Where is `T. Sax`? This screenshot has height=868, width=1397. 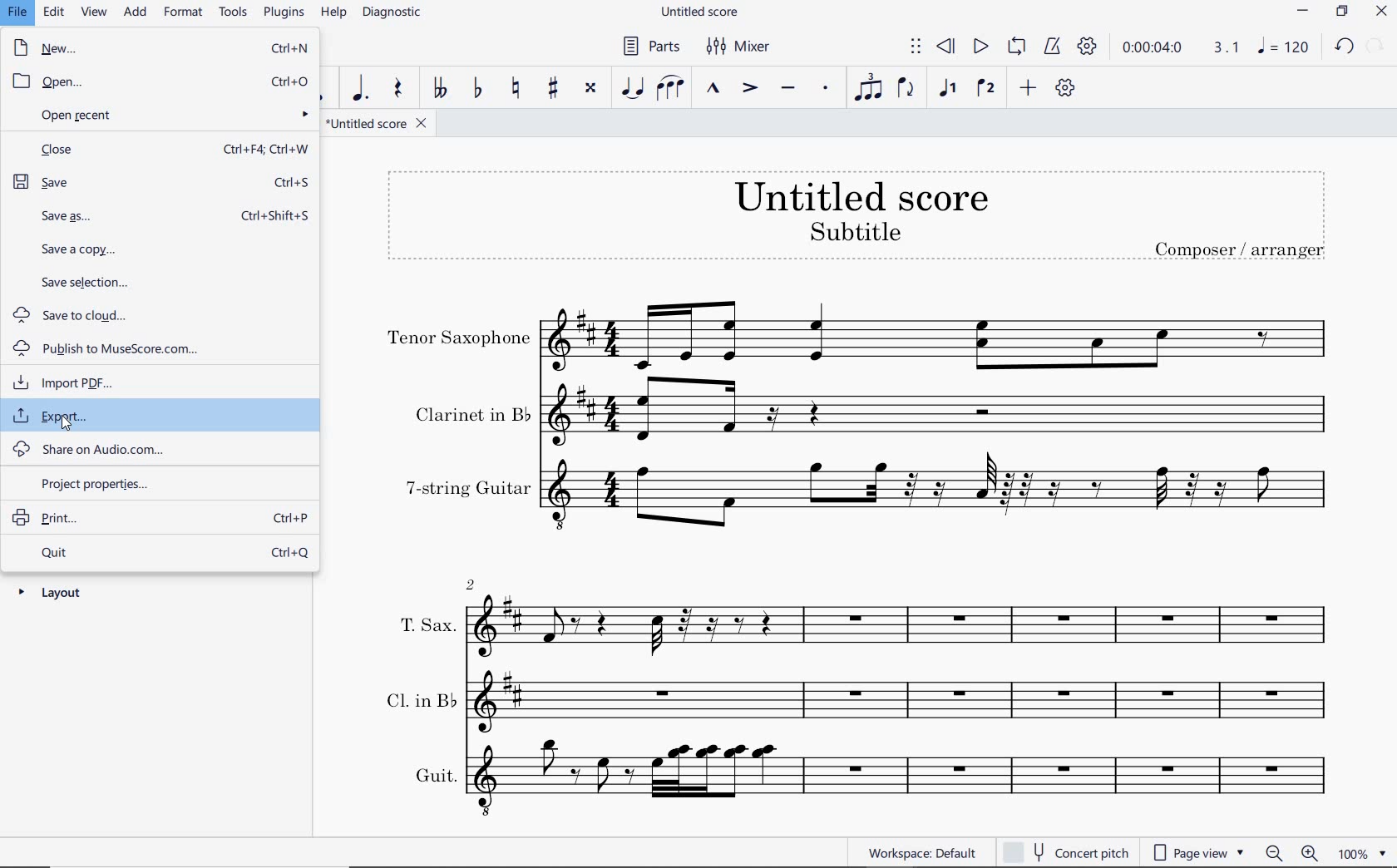 T. Sax is located at coordinates (856, 620).